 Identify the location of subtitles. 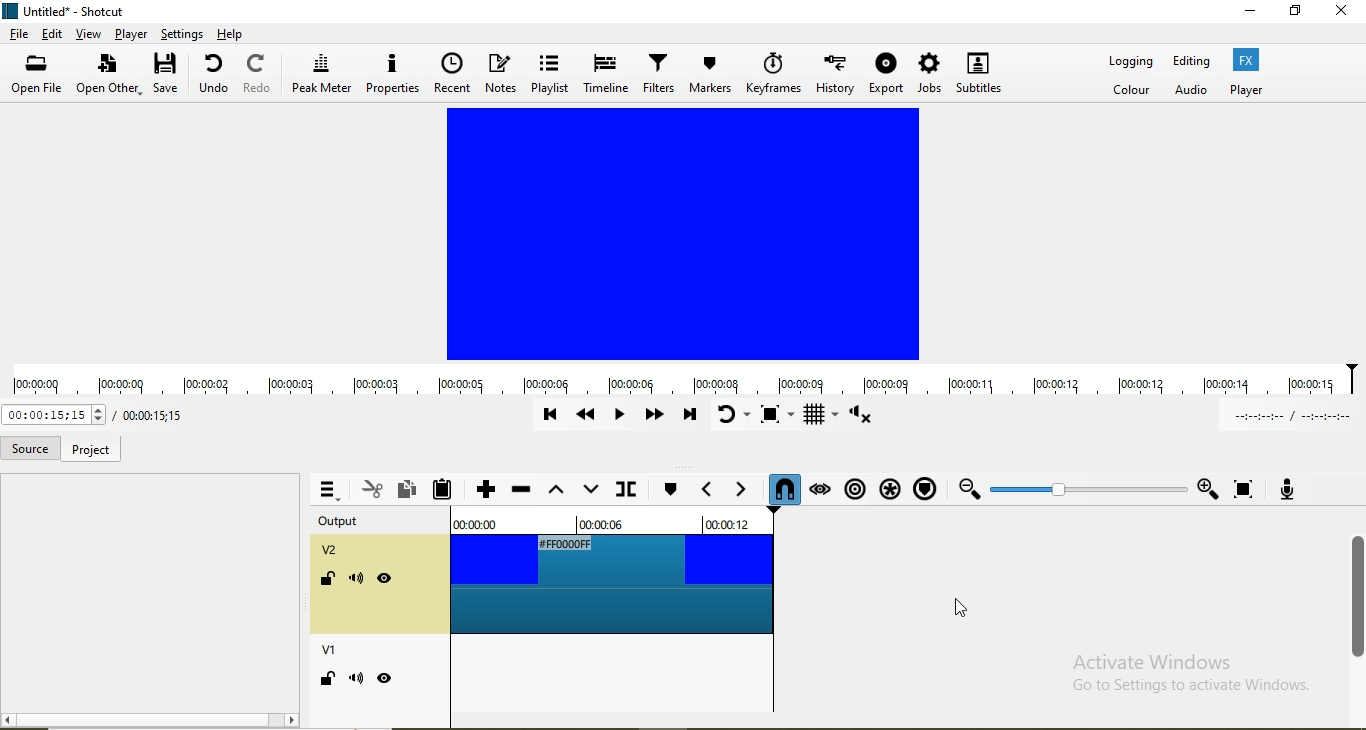
(978, 72).